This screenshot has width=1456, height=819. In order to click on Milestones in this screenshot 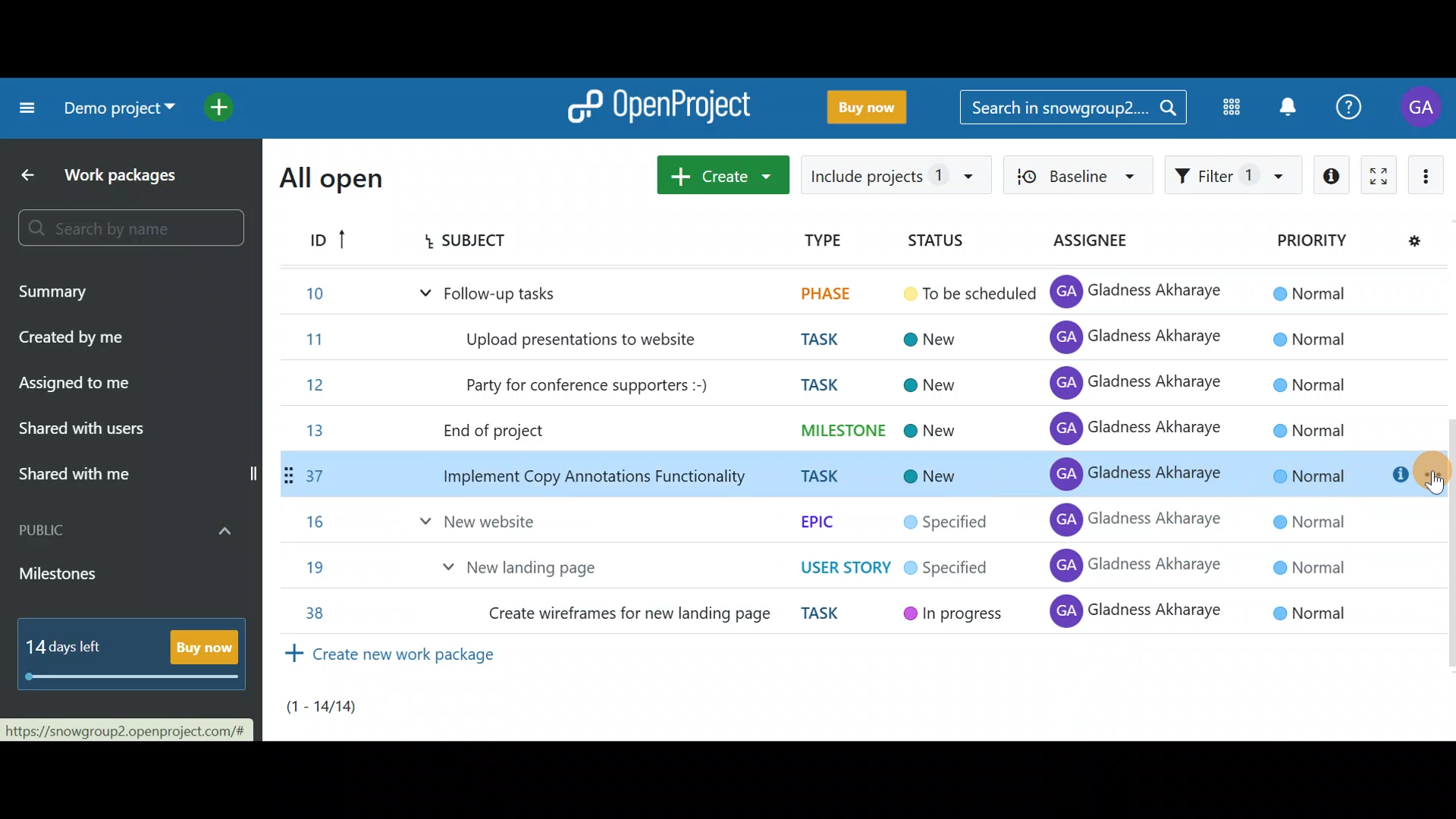, I will do `click(108, 579)`.